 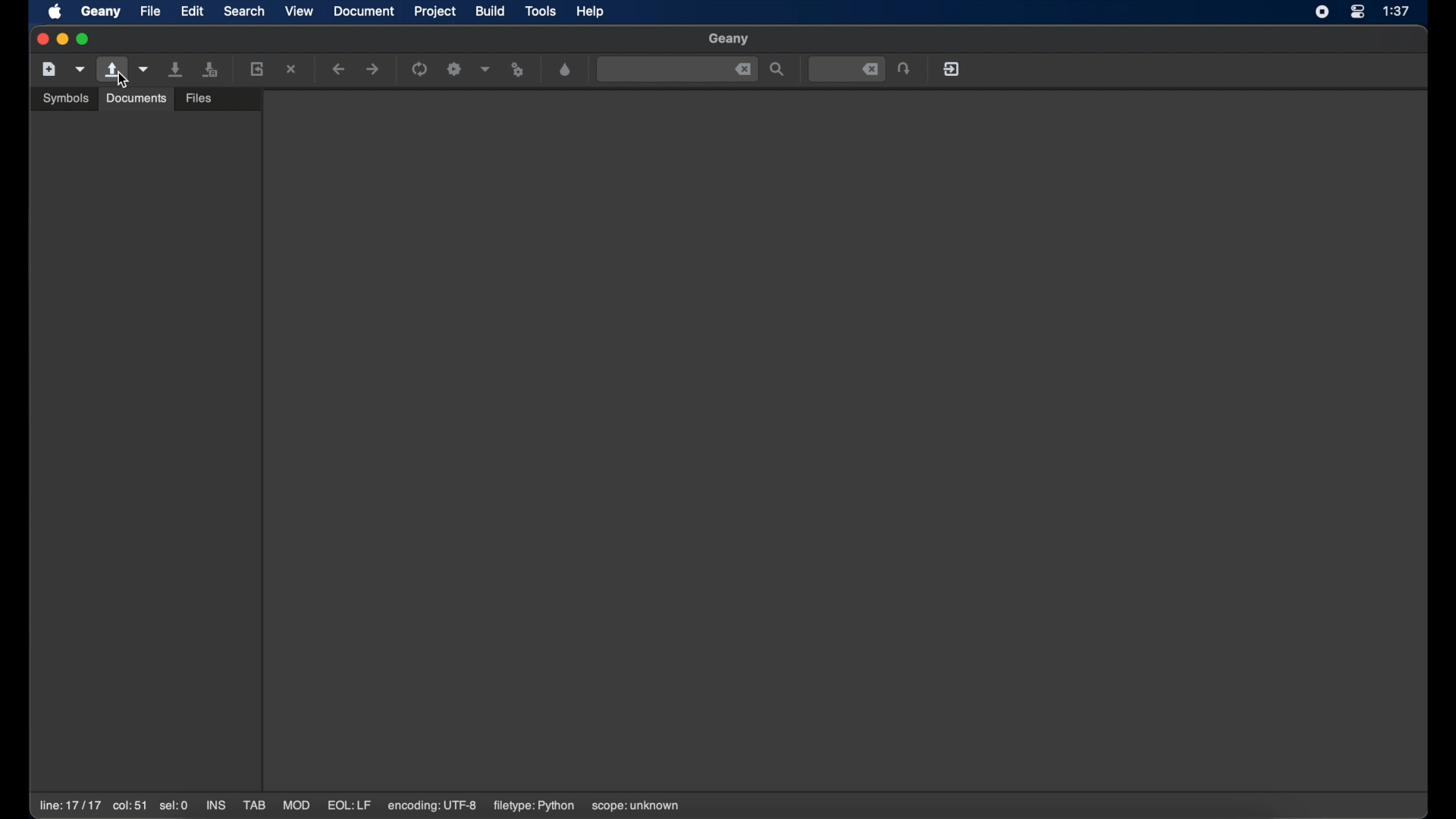 What do you see at coordinates (350, 805) in the screenshot?
I see `eql: lf` at bounding box center [350, 805].